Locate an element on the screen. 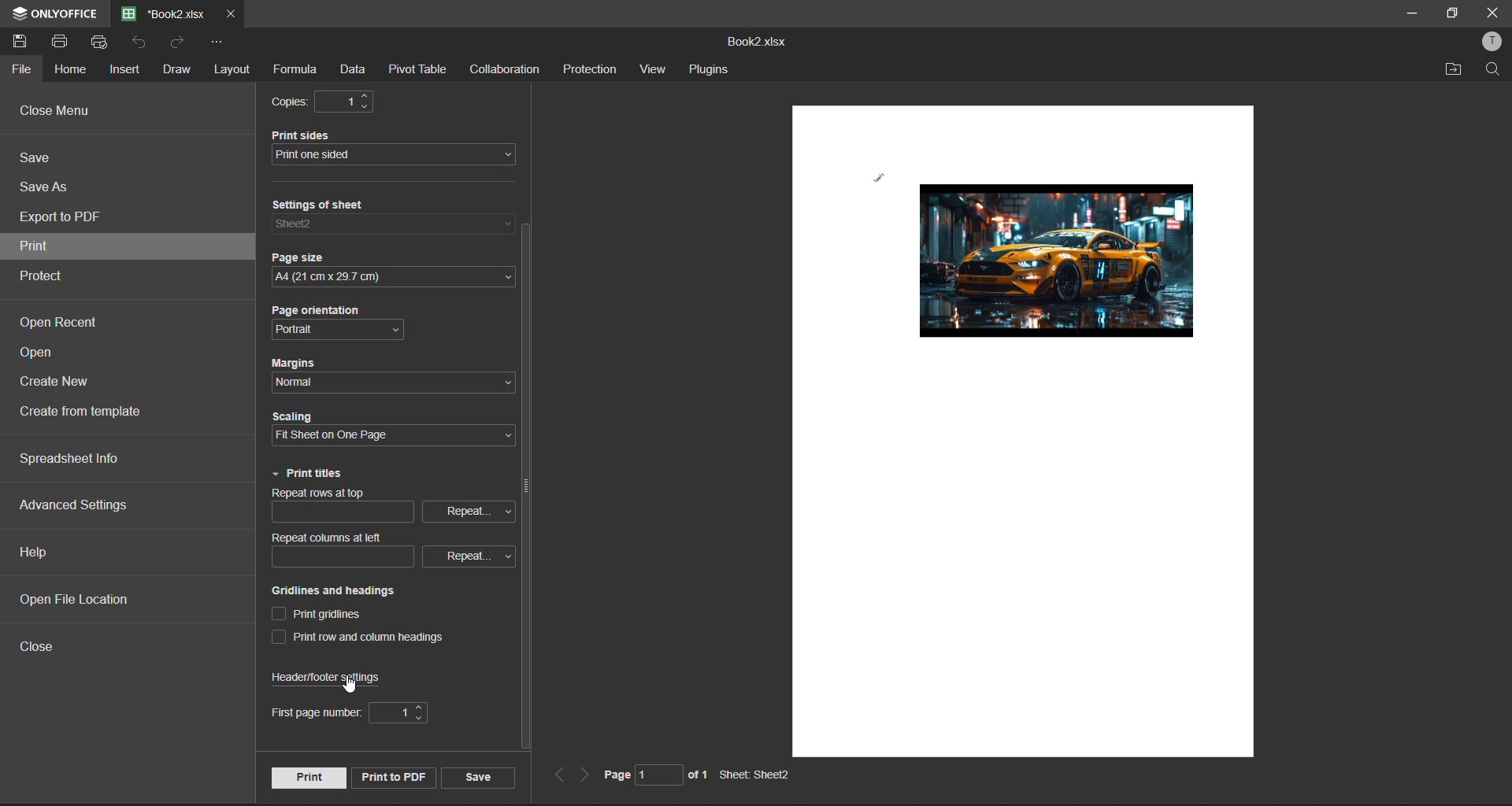  file name is located at coordinates (756, 40).